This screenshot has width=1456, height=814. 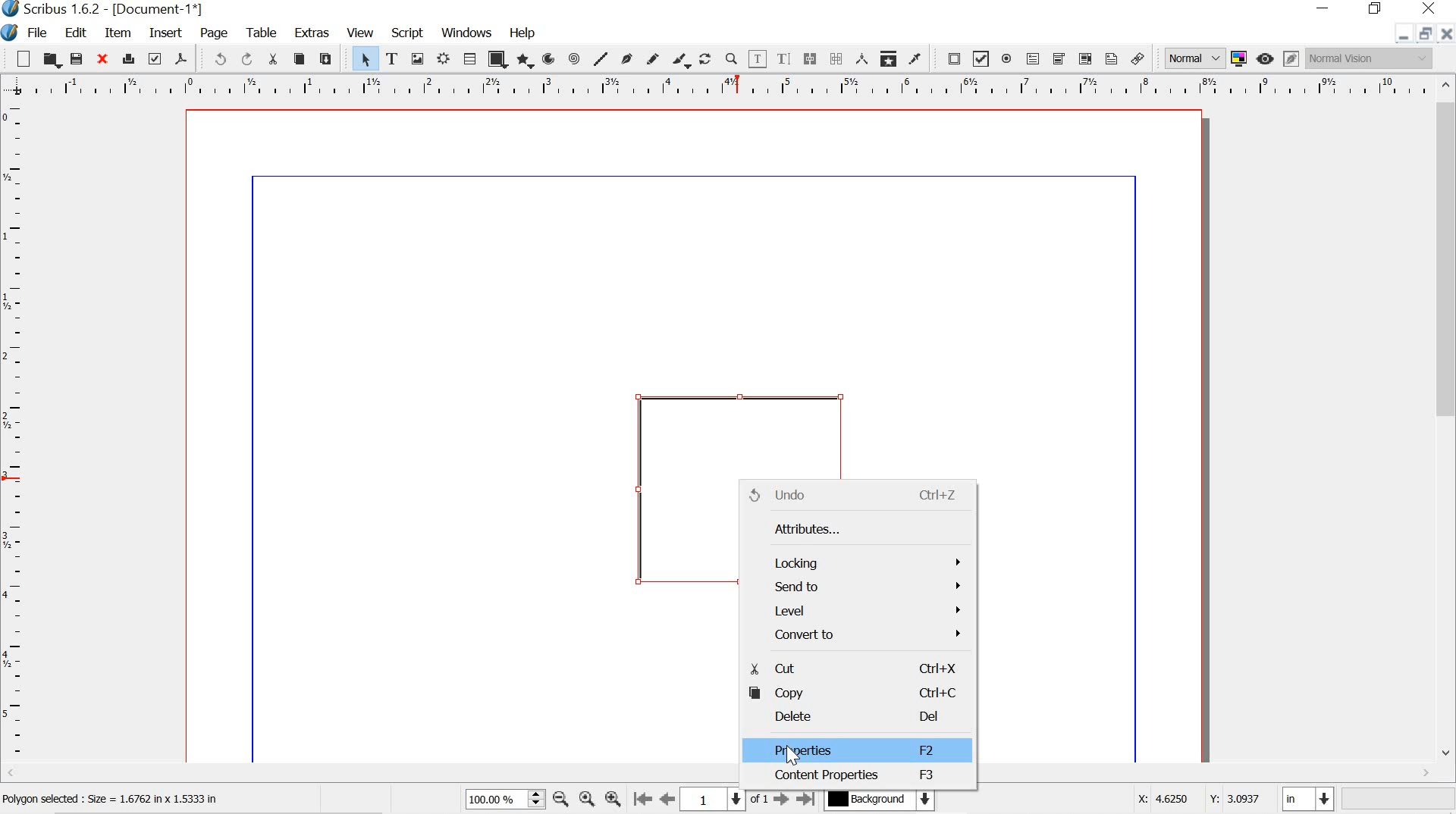 What do you see at coordinates (469, 59) in the screenshot?
I see `table` at bounding box center [469, 59].